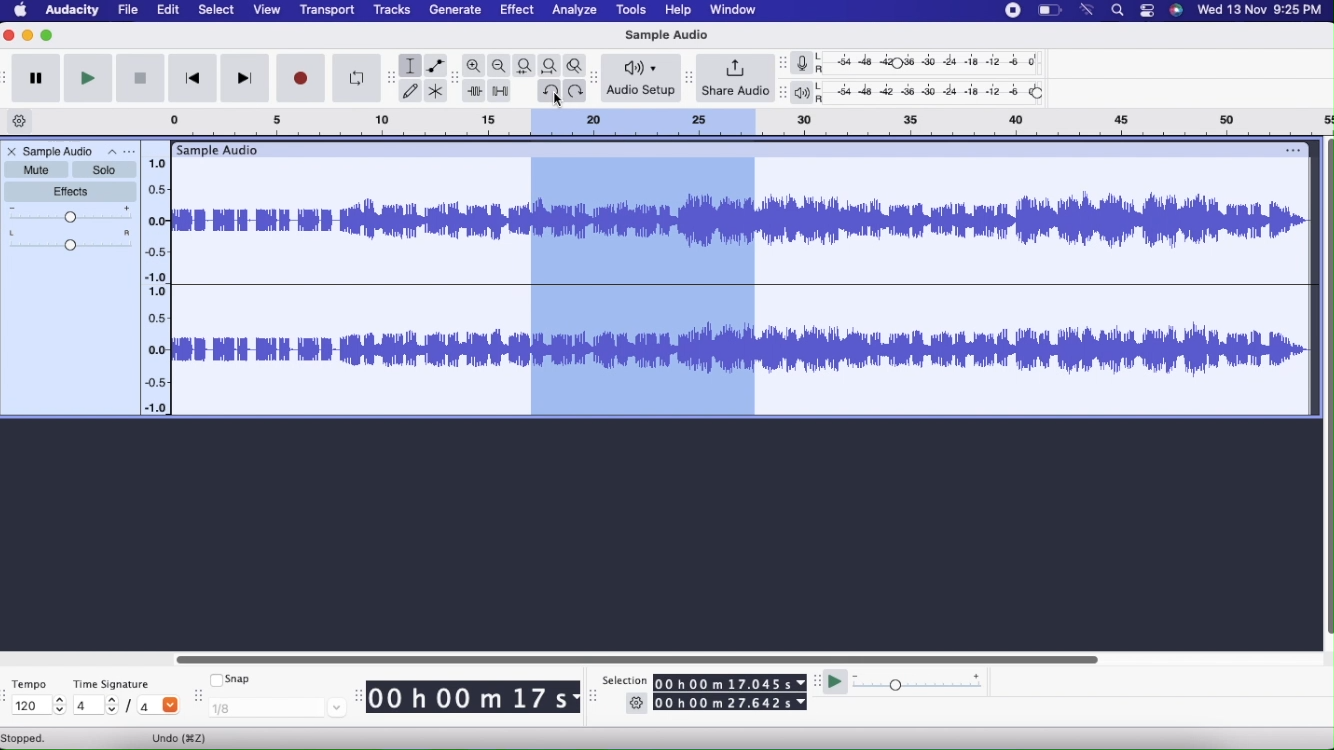  I want to click on Trim audio outside selection, so click(473, 92).